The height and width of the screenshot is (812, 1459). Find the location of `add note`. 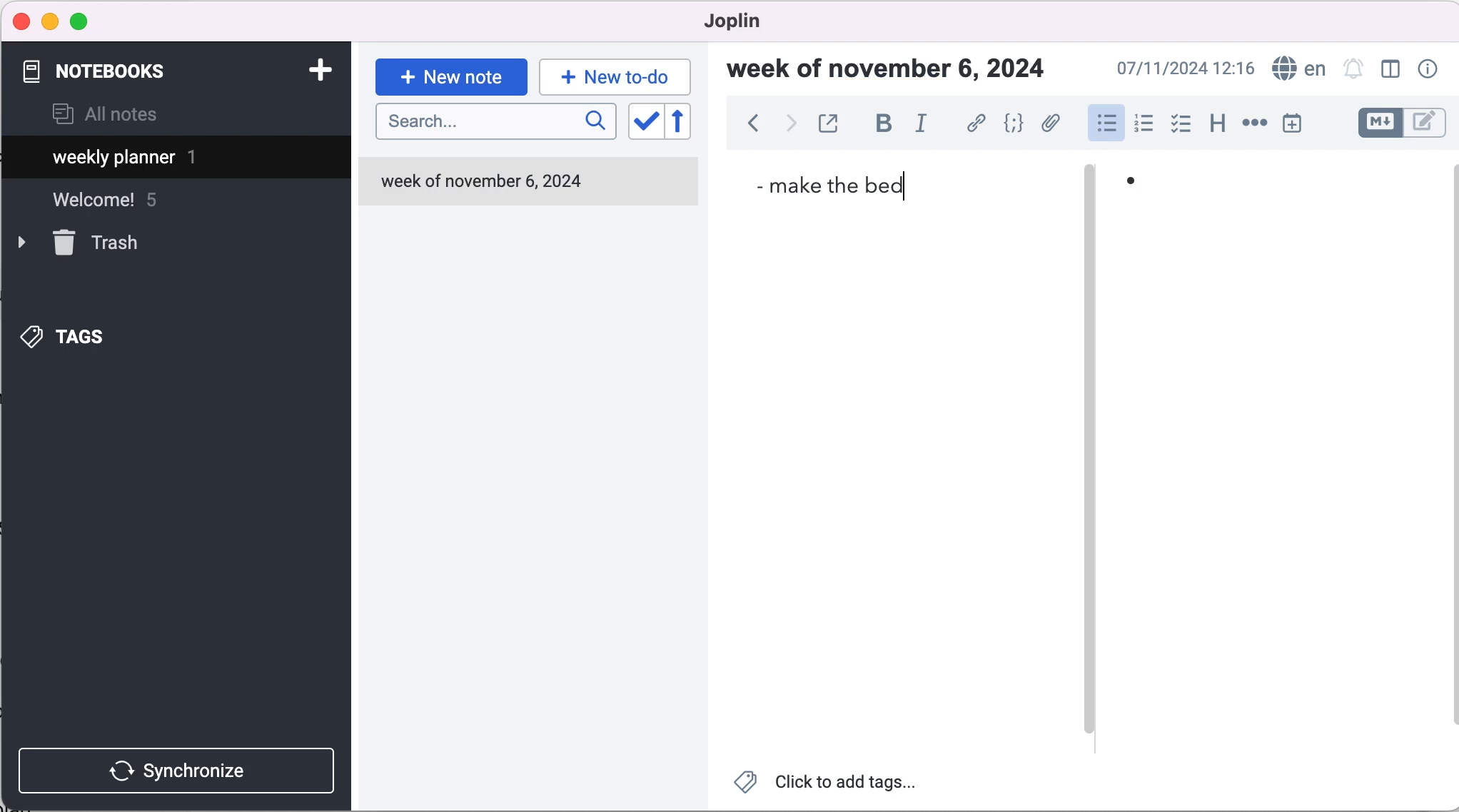

add note is located at coordinates (319, 68).